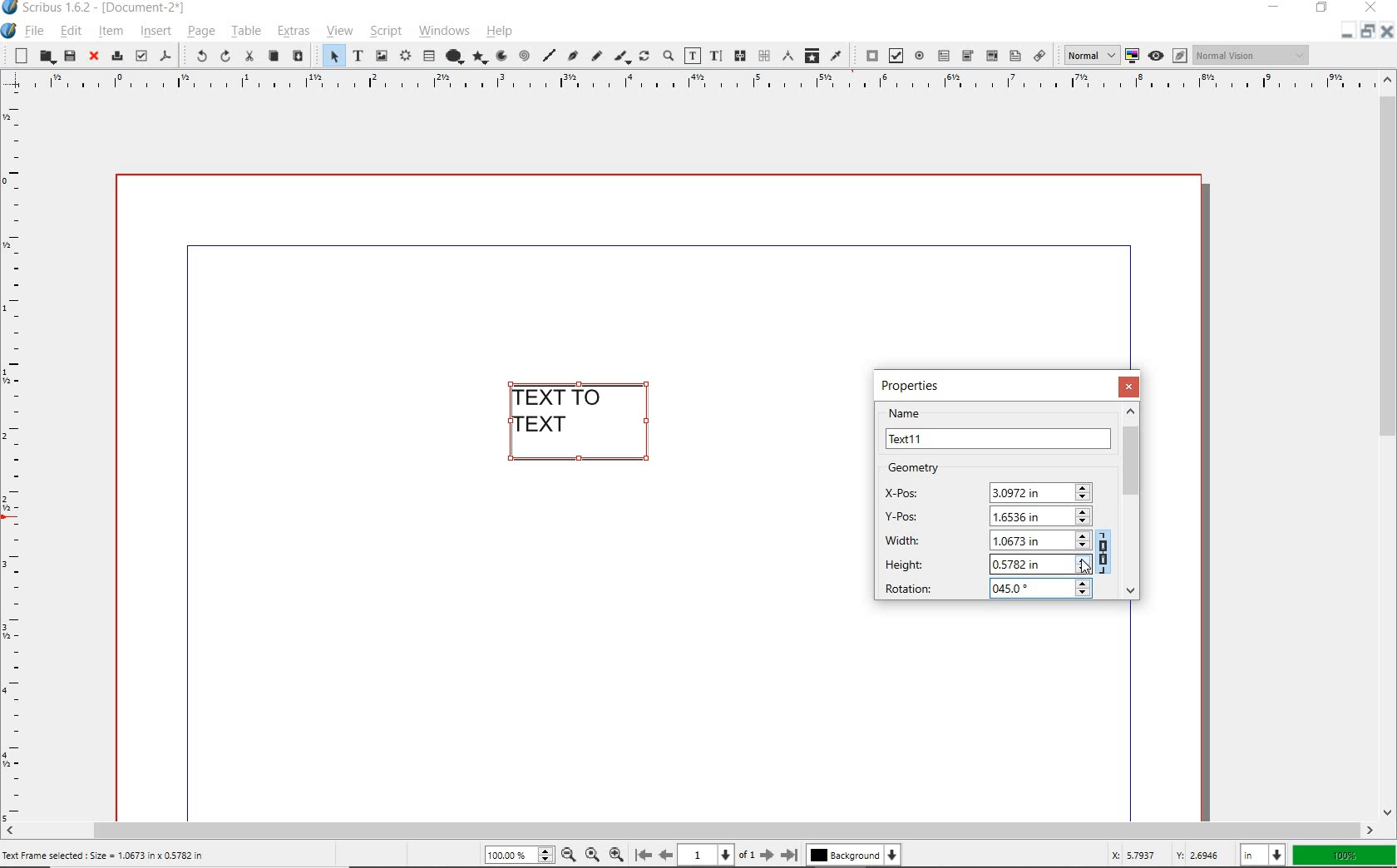  Describe the element at coordinates (1133, 501) in the screenshot. I see `SCROLLBAR` at that location.